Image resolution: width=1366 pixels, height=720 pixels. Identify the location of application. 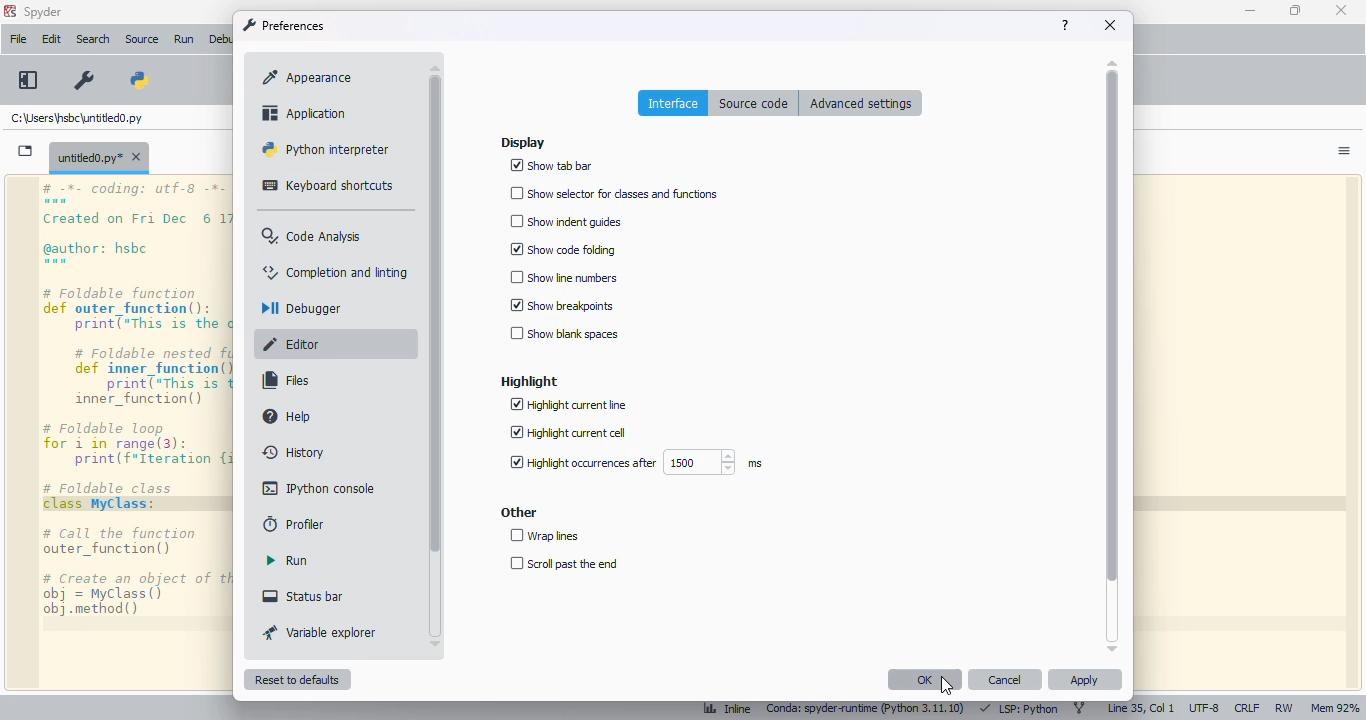
(302, 113).